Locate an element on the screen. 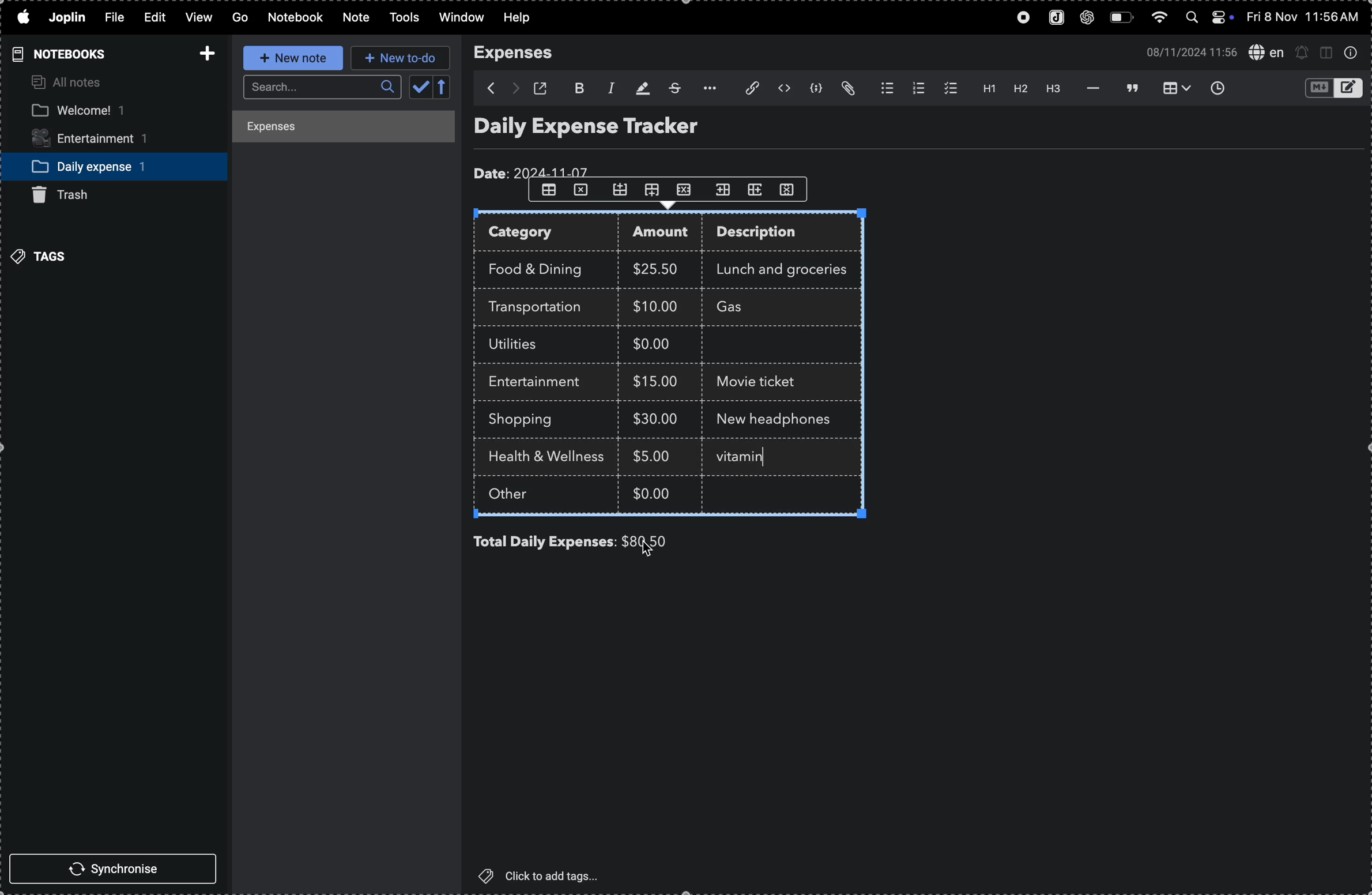  health and wellness is located at coordinates (552, 458).